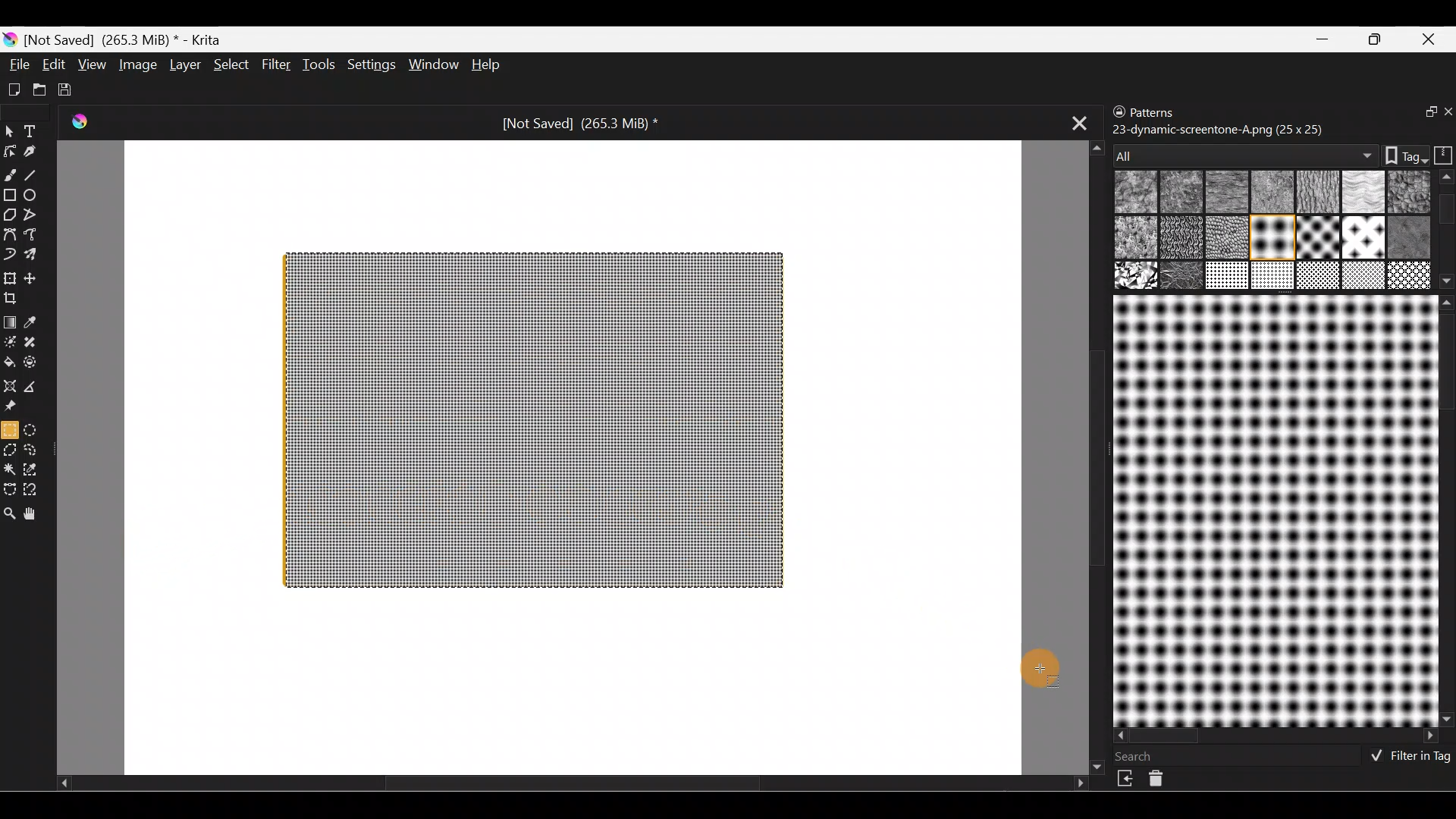 The width and height of the screenshot is (1456, 819). What do you see at coordinates (10, 362) in the screenshot?
I see `Fill a contiguous area of colour with colour` at bounding box center [10, 362].